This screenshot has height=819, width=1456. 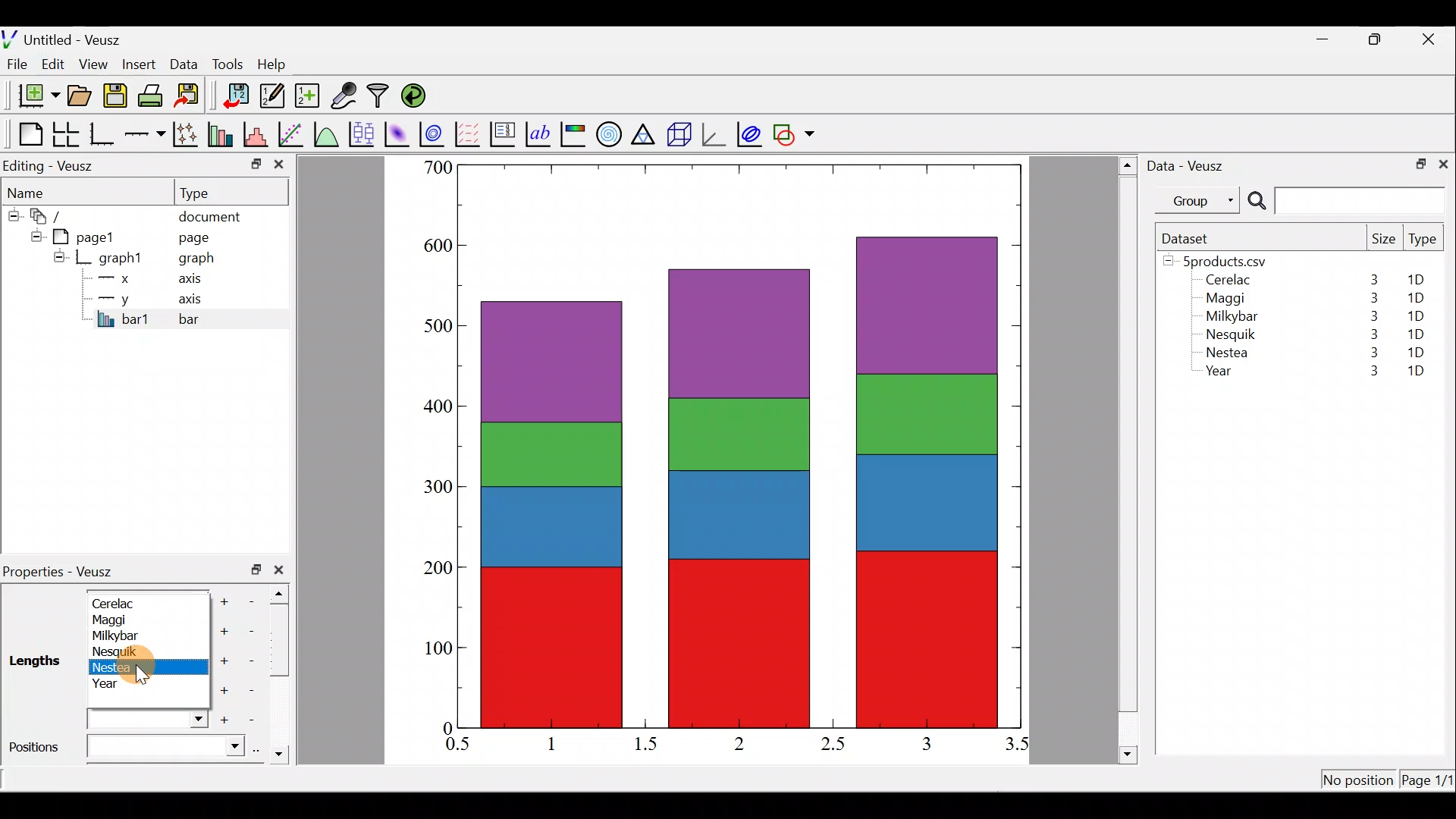 I want to click on View, so click(x=96, y=61).